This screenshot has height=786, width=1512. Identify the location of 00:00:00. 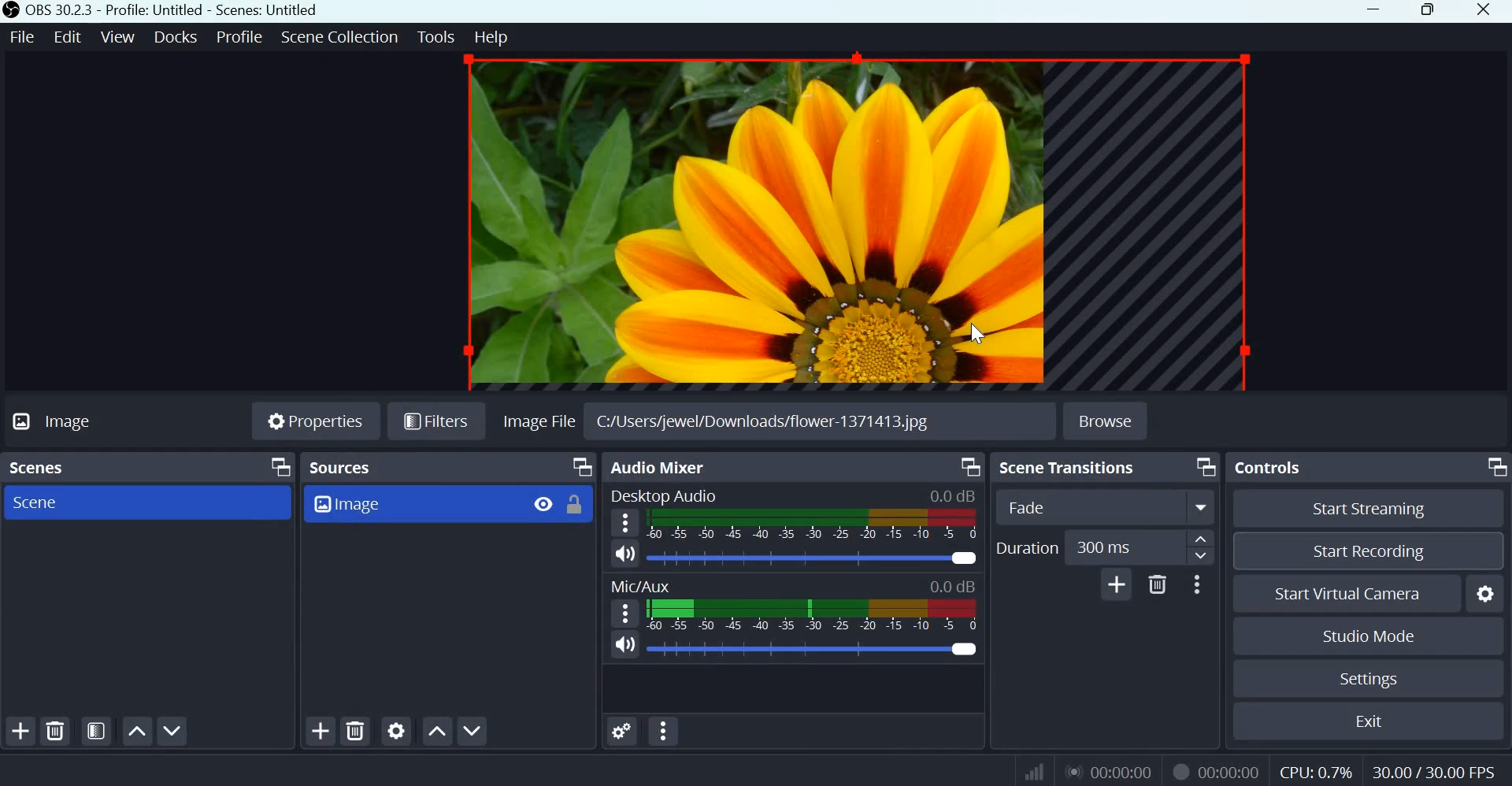
(1113, 772).